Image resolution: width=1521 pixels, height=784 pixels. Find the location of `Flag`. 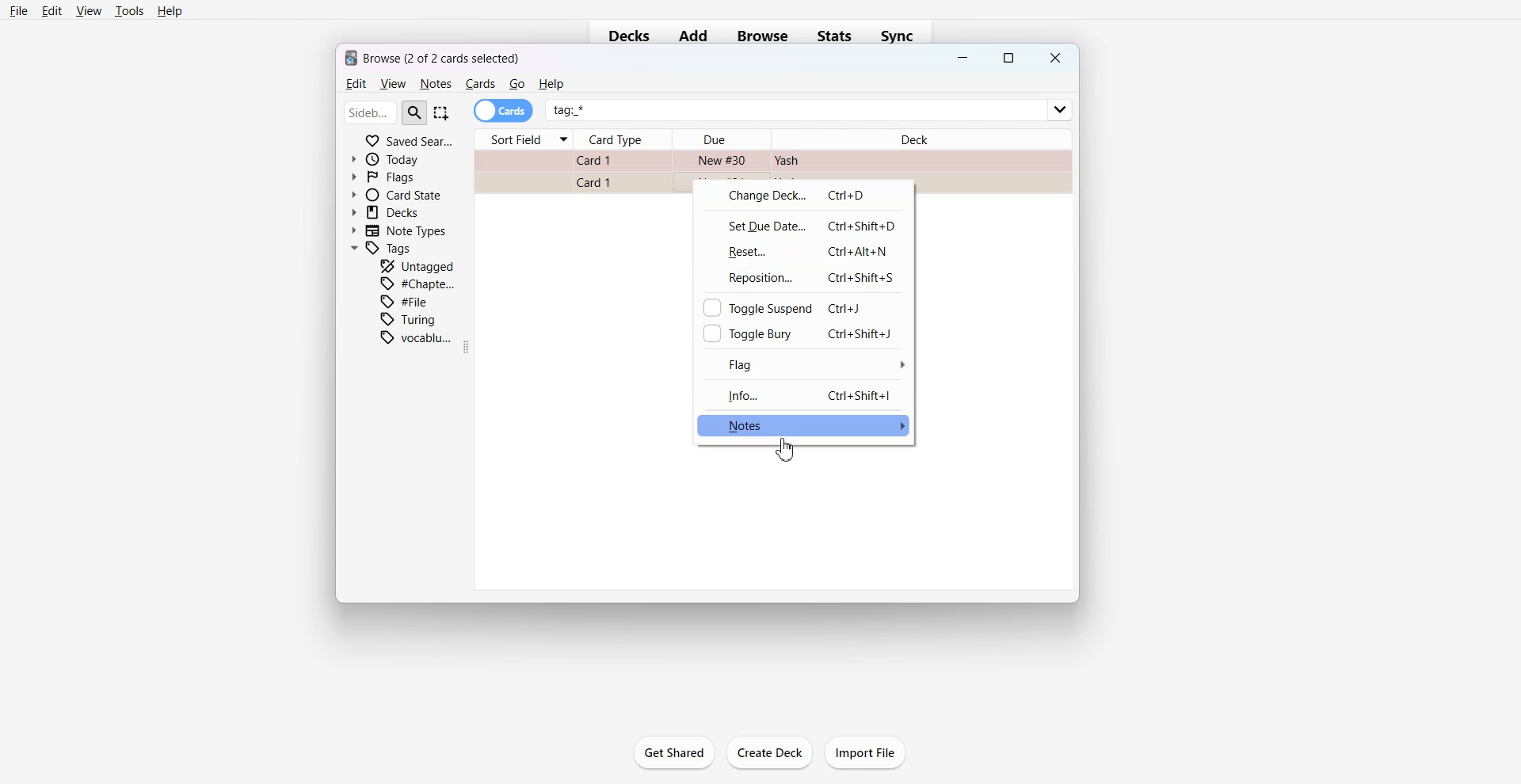

Flag is located at coordinates (803, 363).